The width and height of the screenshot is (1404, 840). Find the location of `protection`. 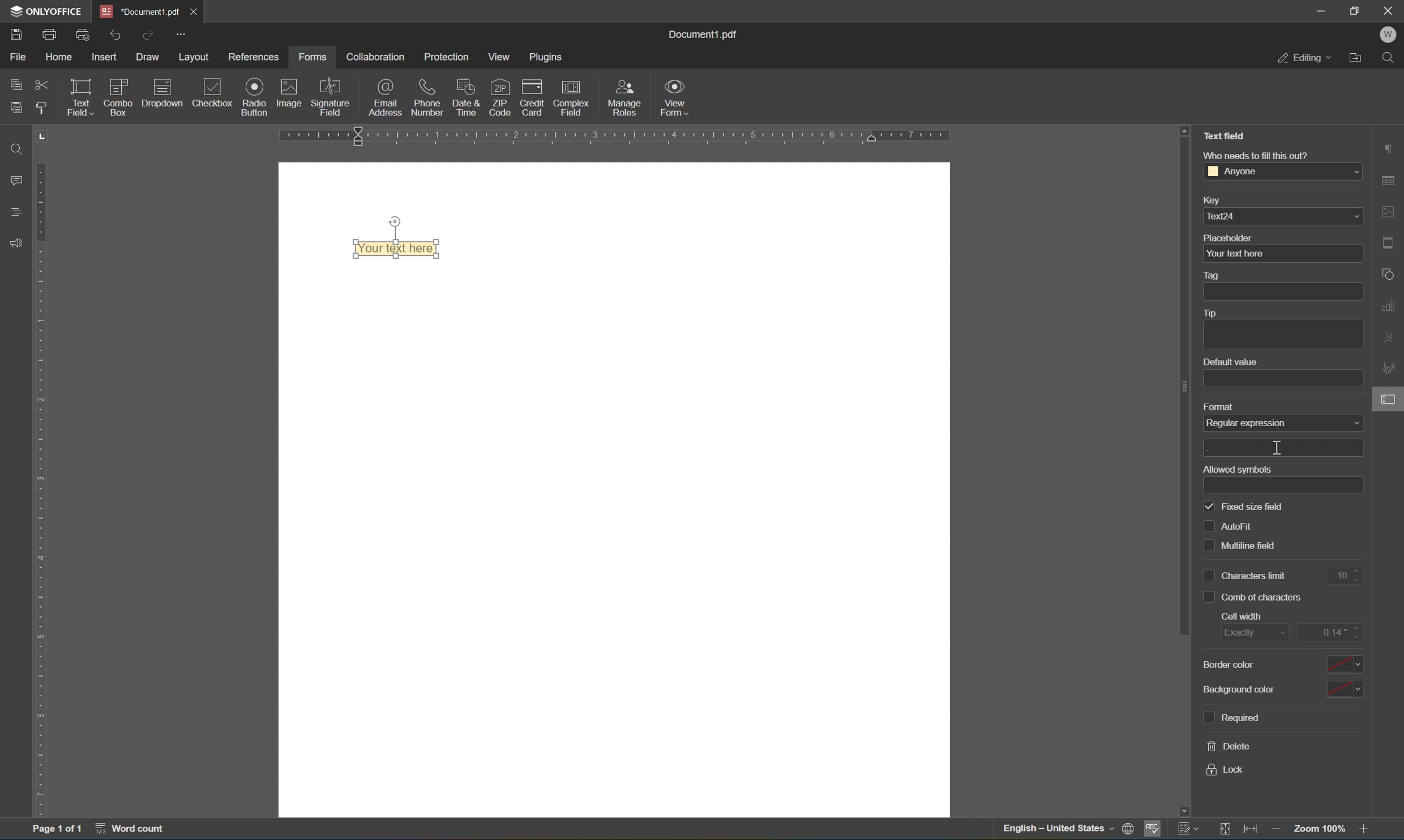

protection is located at coordinates (447, 57).